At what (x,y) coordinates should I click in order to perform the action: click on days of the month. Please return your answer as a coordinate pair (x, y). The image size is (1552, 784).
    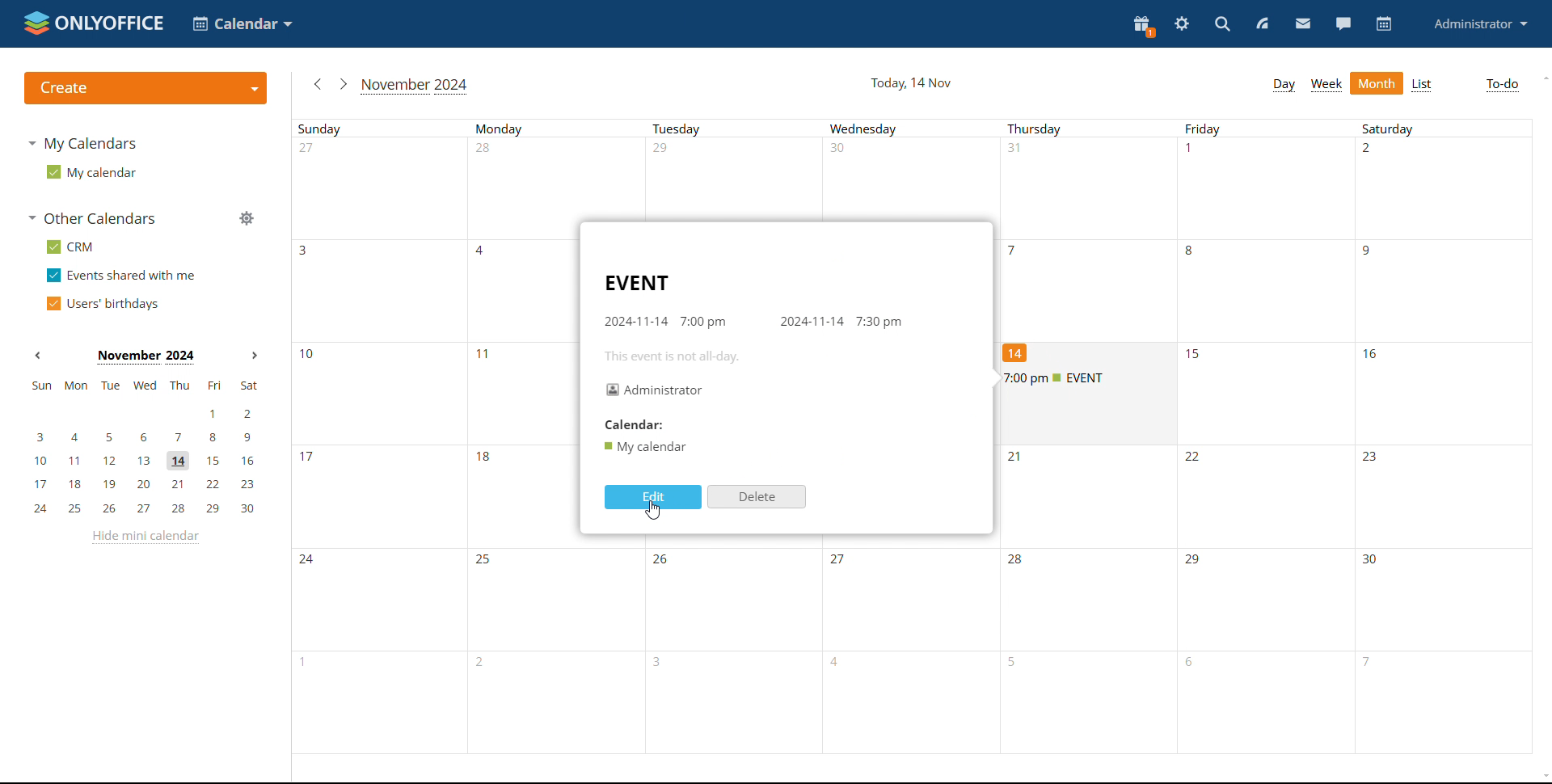
    Looking at the image, I should click on (1086, 649).